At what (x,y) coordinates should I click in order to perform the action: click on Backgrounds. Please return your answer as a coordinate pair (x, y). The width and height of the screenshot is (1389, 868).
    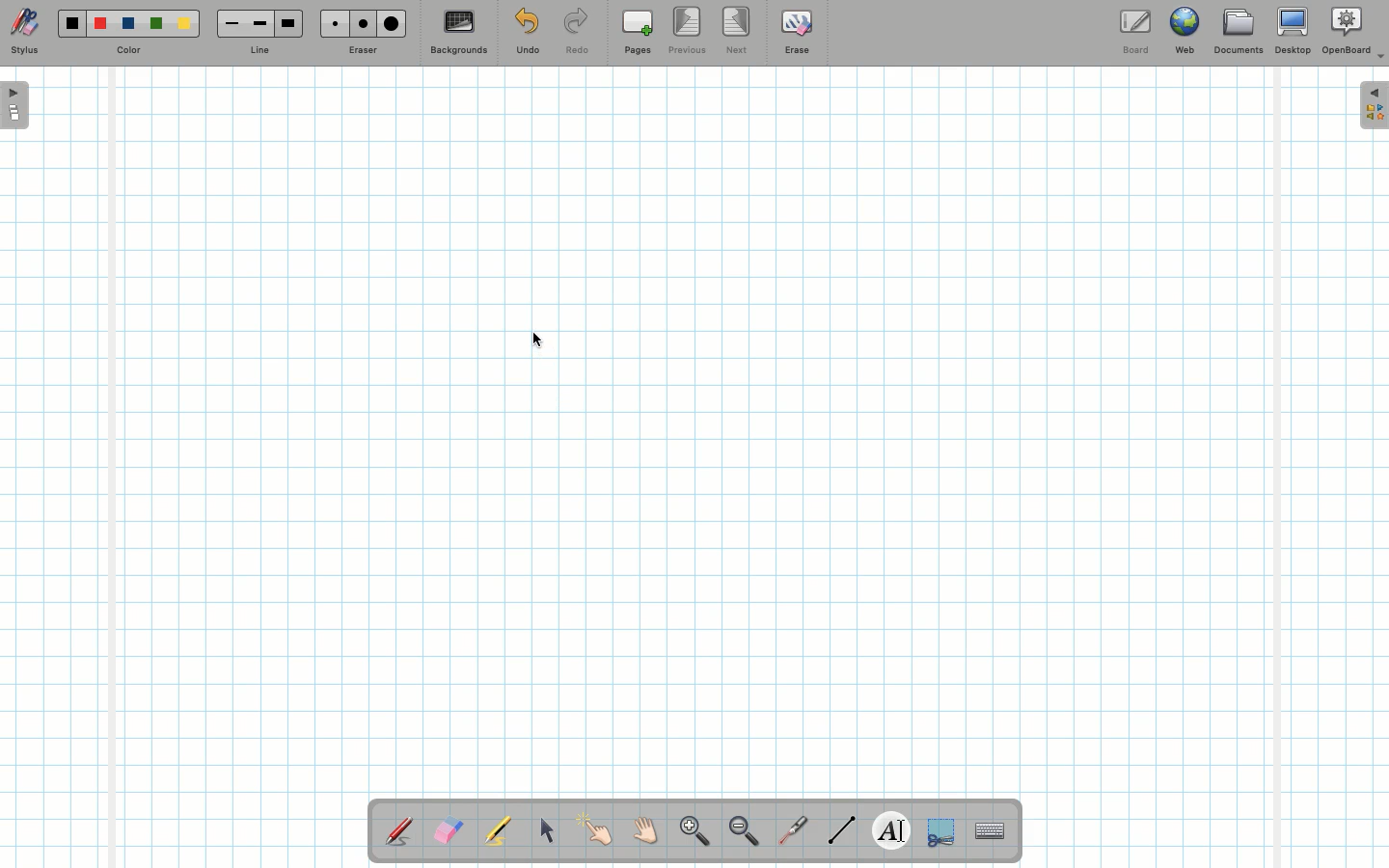
    Looking at the image, I should click on (458, 33).